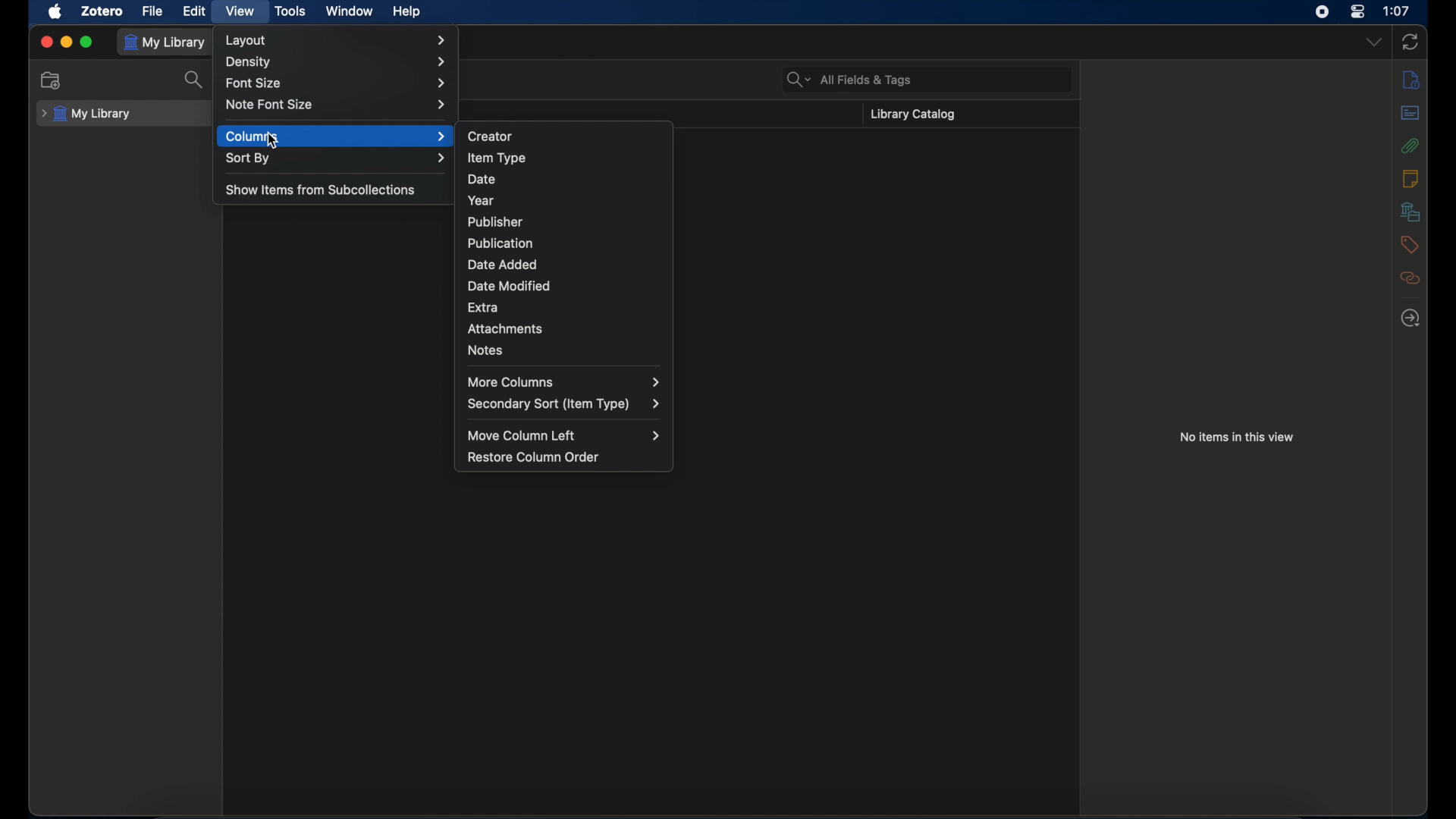 The height and width of the screenshot is (819, 1456). I want to click on notes, so click(1409, 178).